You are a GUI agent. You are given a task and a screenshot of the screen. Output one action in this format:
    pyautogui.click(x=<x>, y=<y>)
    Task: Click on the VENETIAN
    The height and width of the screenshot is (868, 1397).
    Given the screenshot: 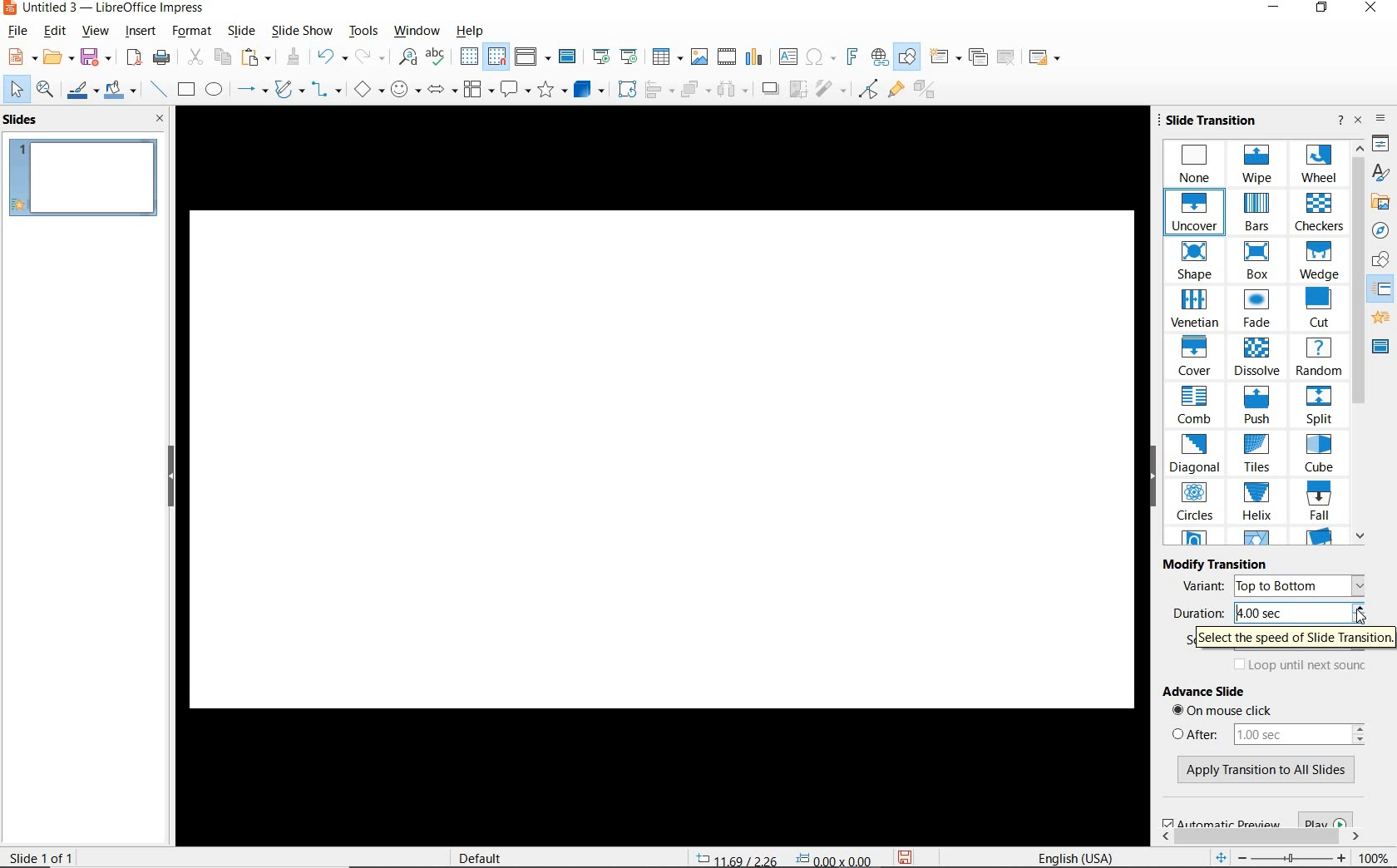 What is the action you would take?
    pyautogui.click(x=1197, y=309)
    